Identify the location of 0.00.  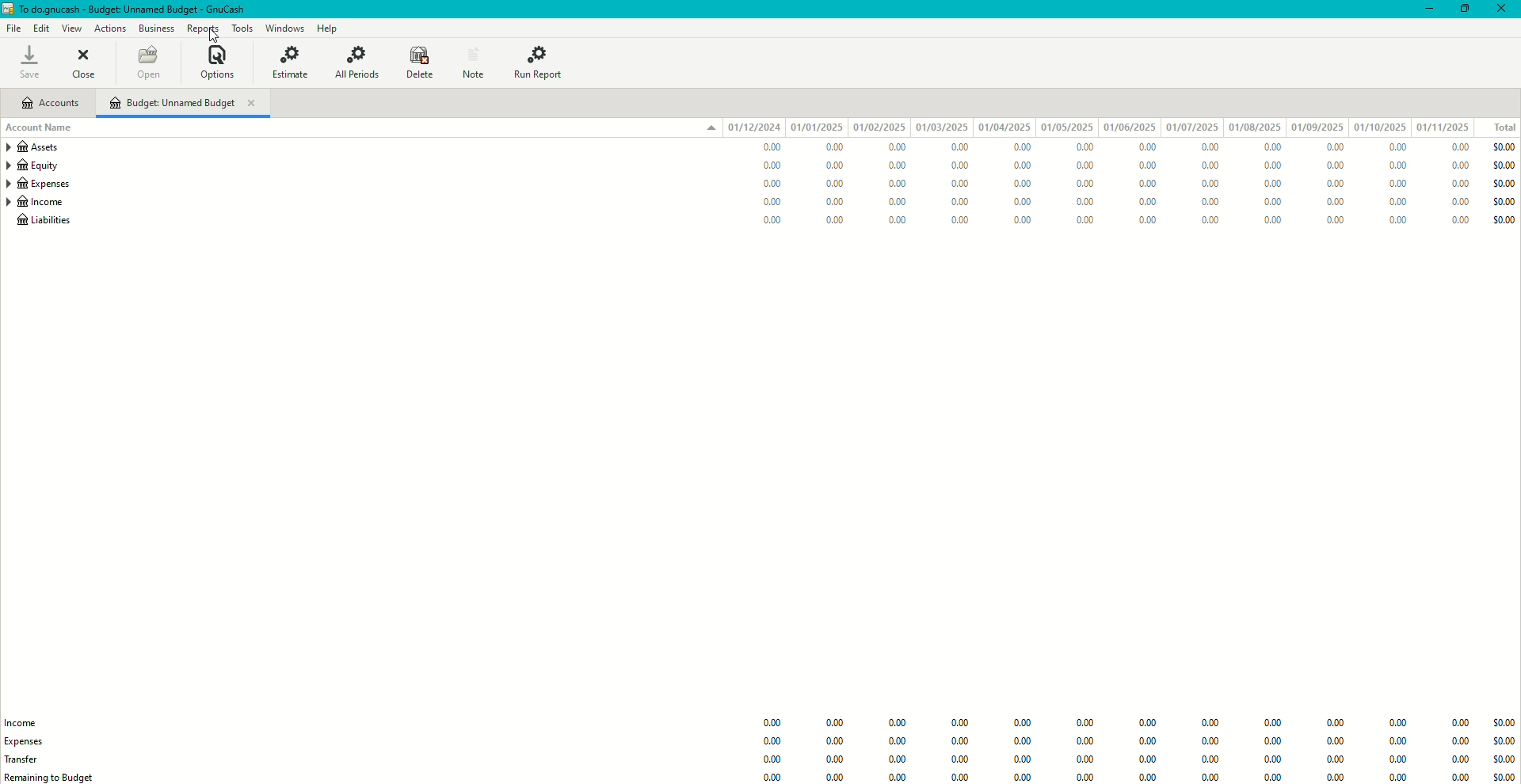
(1023, 203).